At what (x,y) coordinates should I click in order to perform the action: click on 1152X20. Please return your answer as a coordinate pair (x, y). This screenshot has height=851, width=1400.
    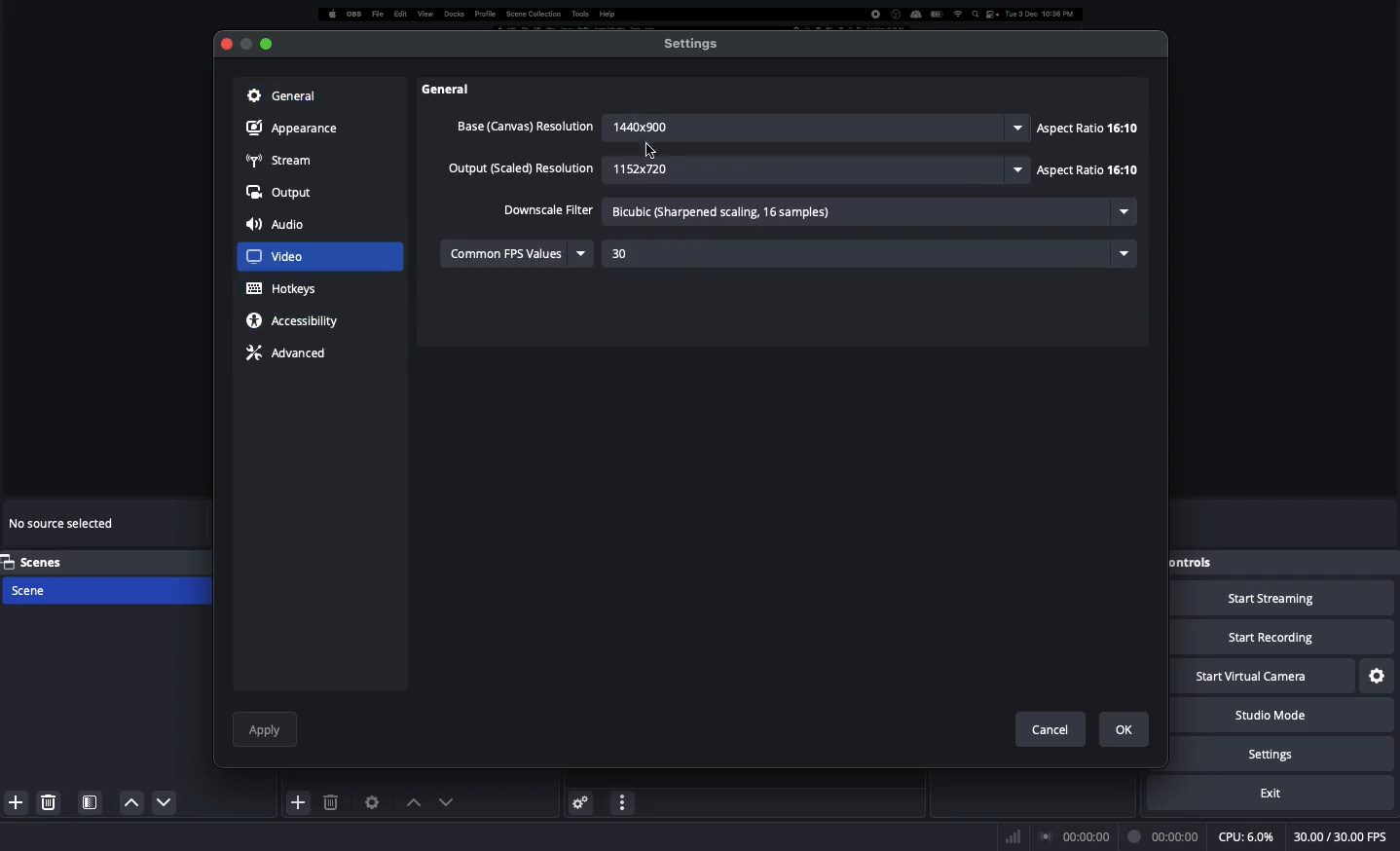
    Looking at the image, I should click on (658, 171).